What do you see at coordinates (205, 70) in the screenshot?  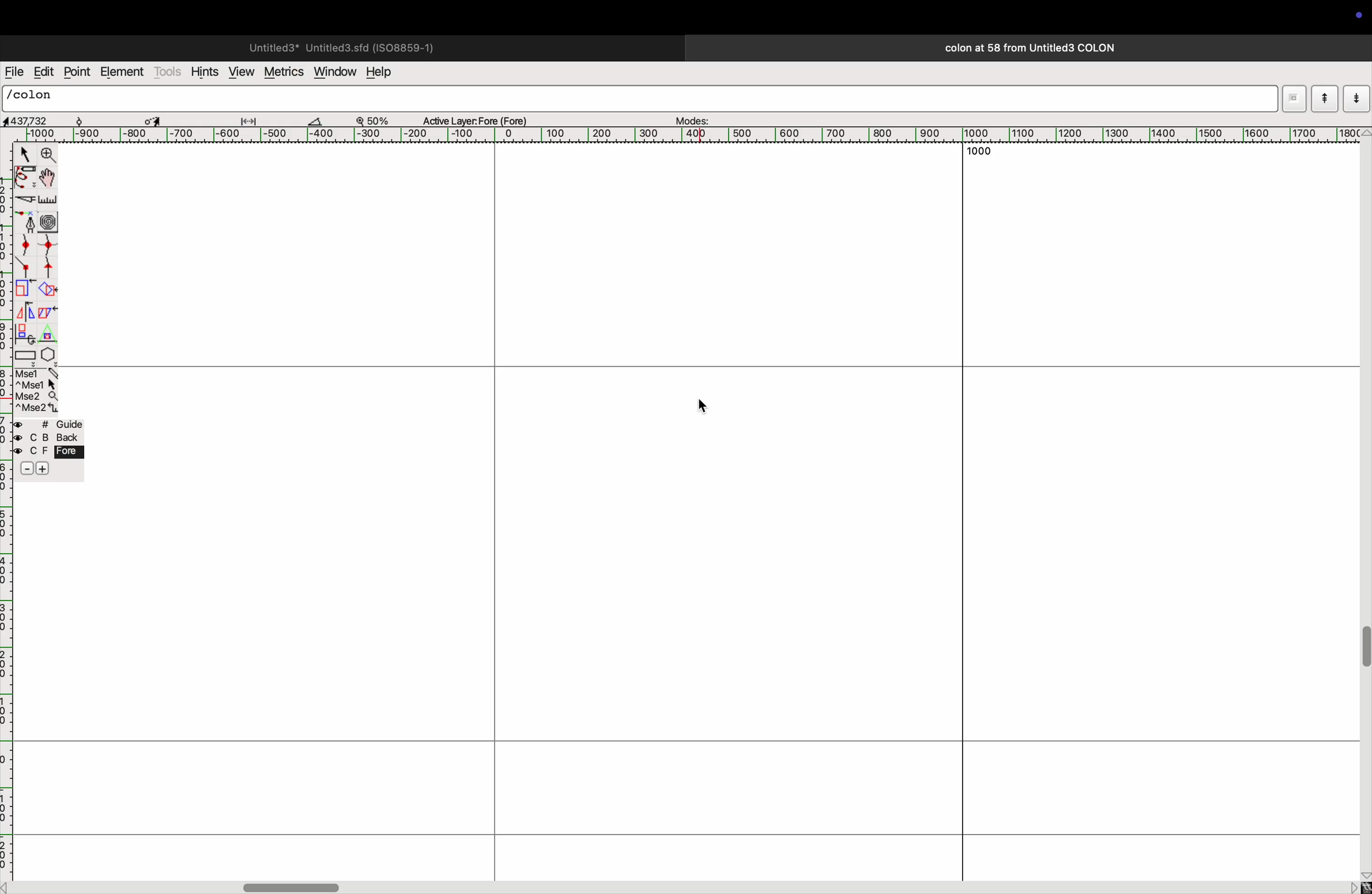 I see `hints` at bounding box center [205, 70].